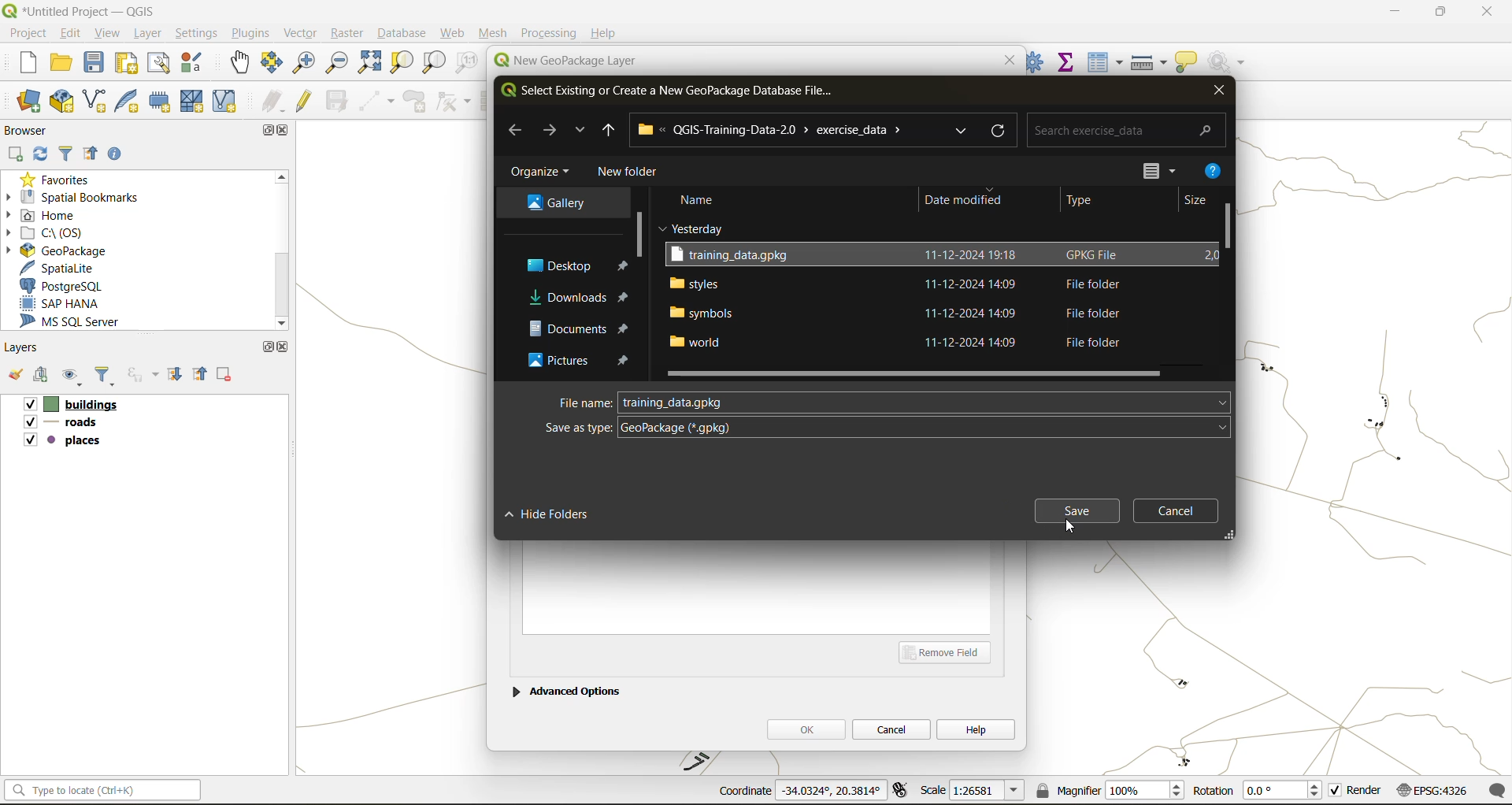  I want to click on File folder, so click(1089, 342).